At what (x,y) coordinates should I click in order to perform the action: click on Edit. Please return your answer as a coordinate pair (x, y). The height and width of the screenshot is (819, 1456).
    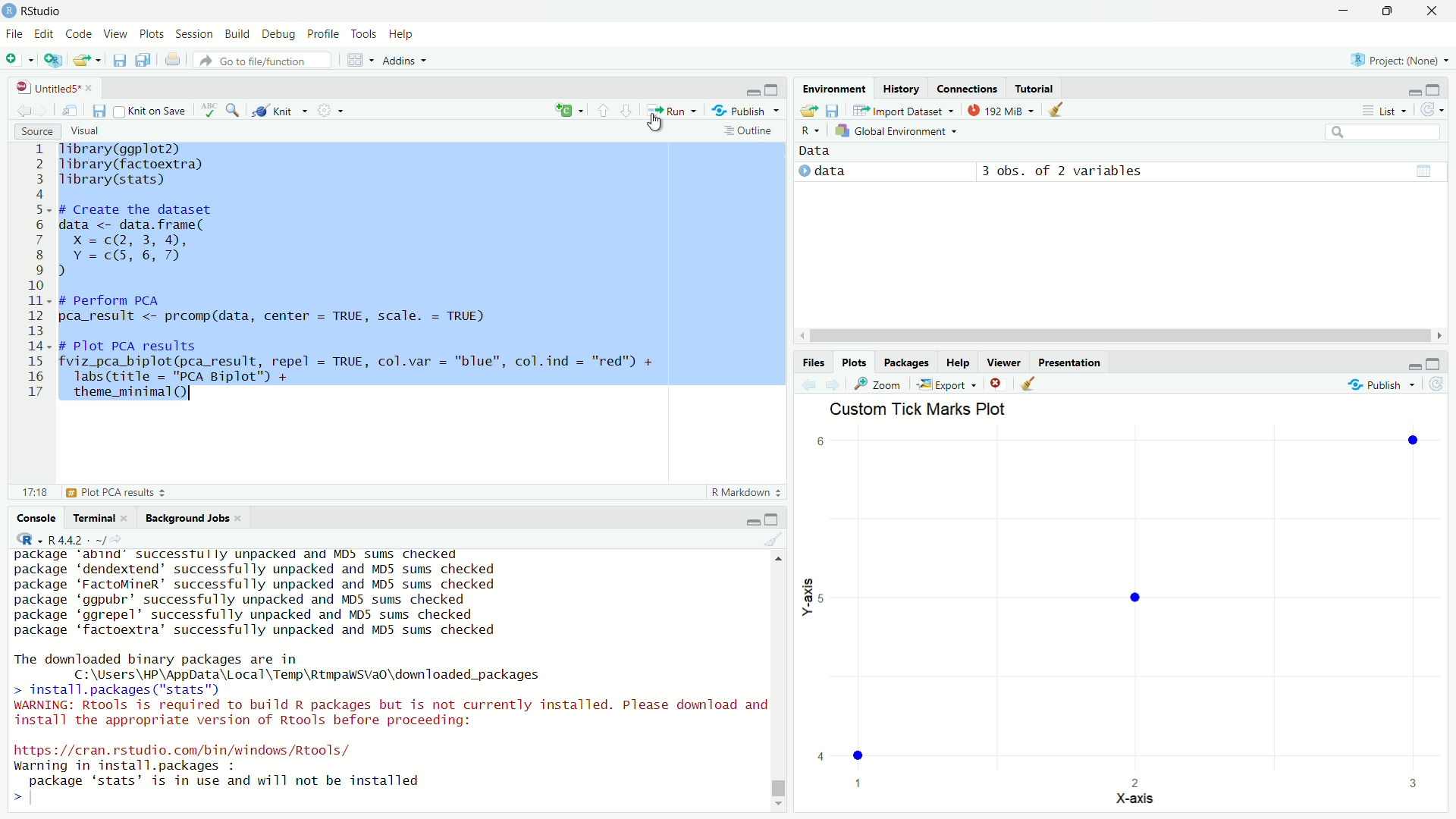
    Looking at the image, I should click on (45, 35).